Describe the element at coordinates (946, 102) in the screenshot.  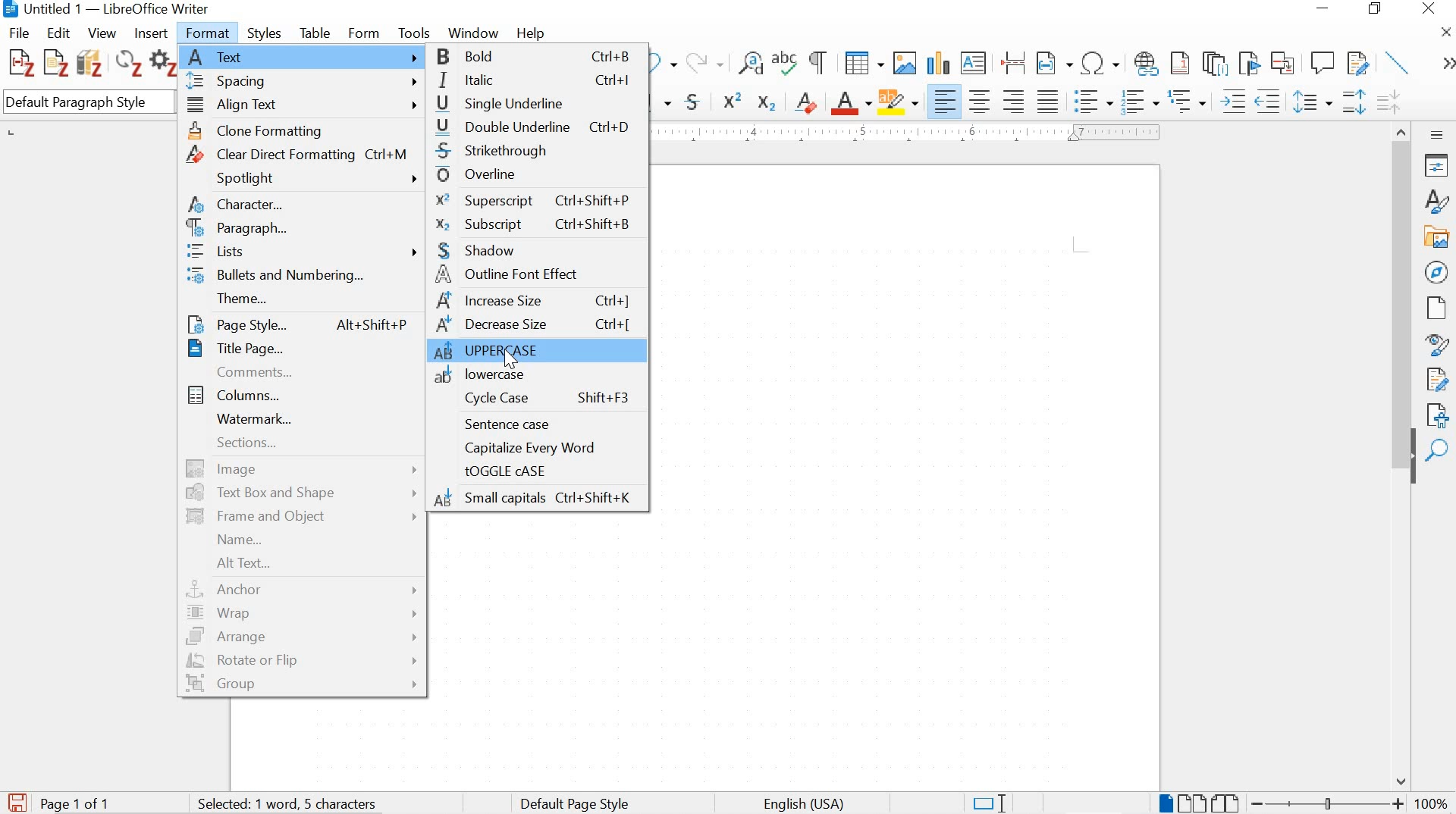
I see `align left` at that location.